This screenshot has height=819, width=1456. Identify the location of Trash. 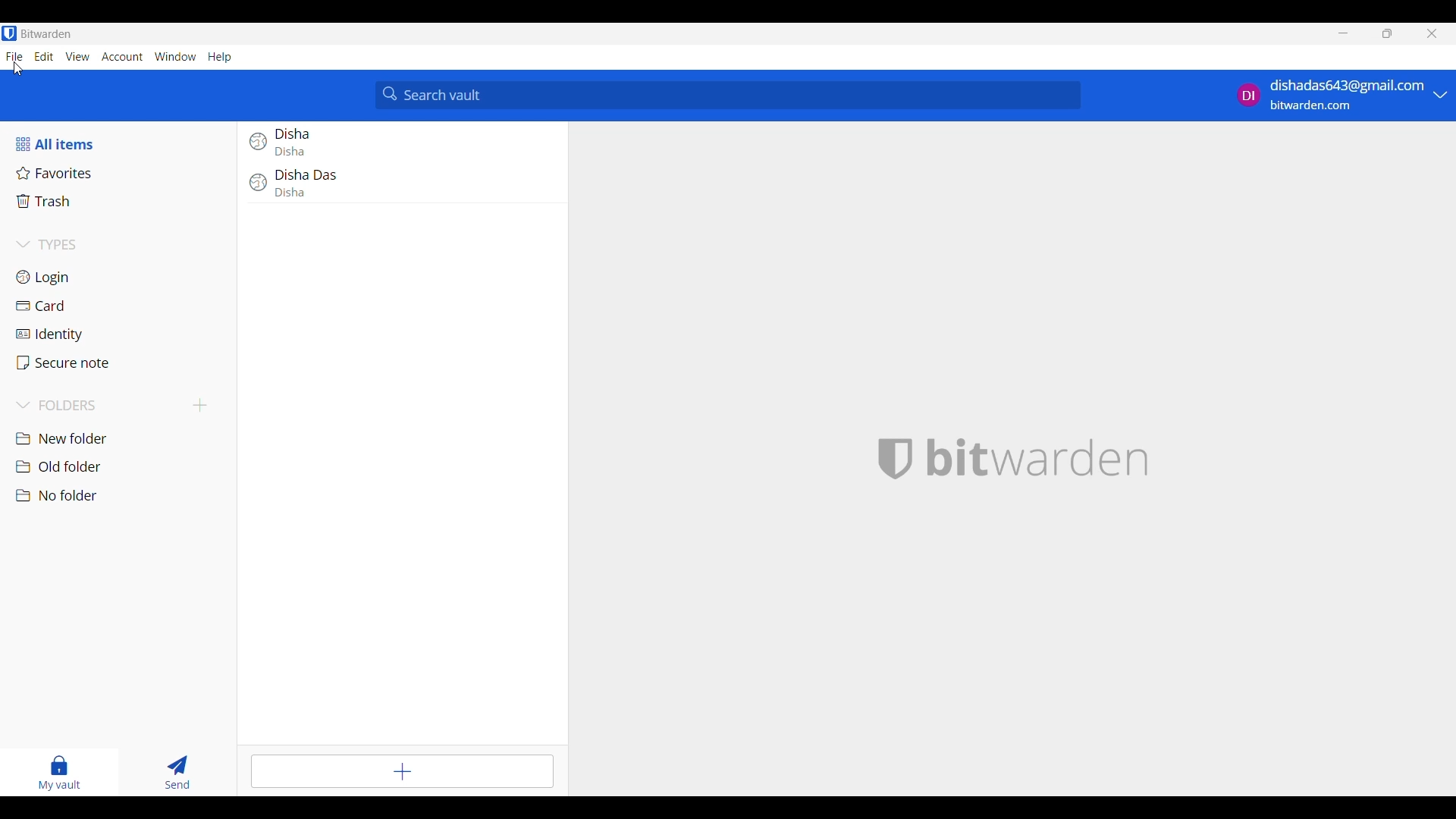
(122, 202).